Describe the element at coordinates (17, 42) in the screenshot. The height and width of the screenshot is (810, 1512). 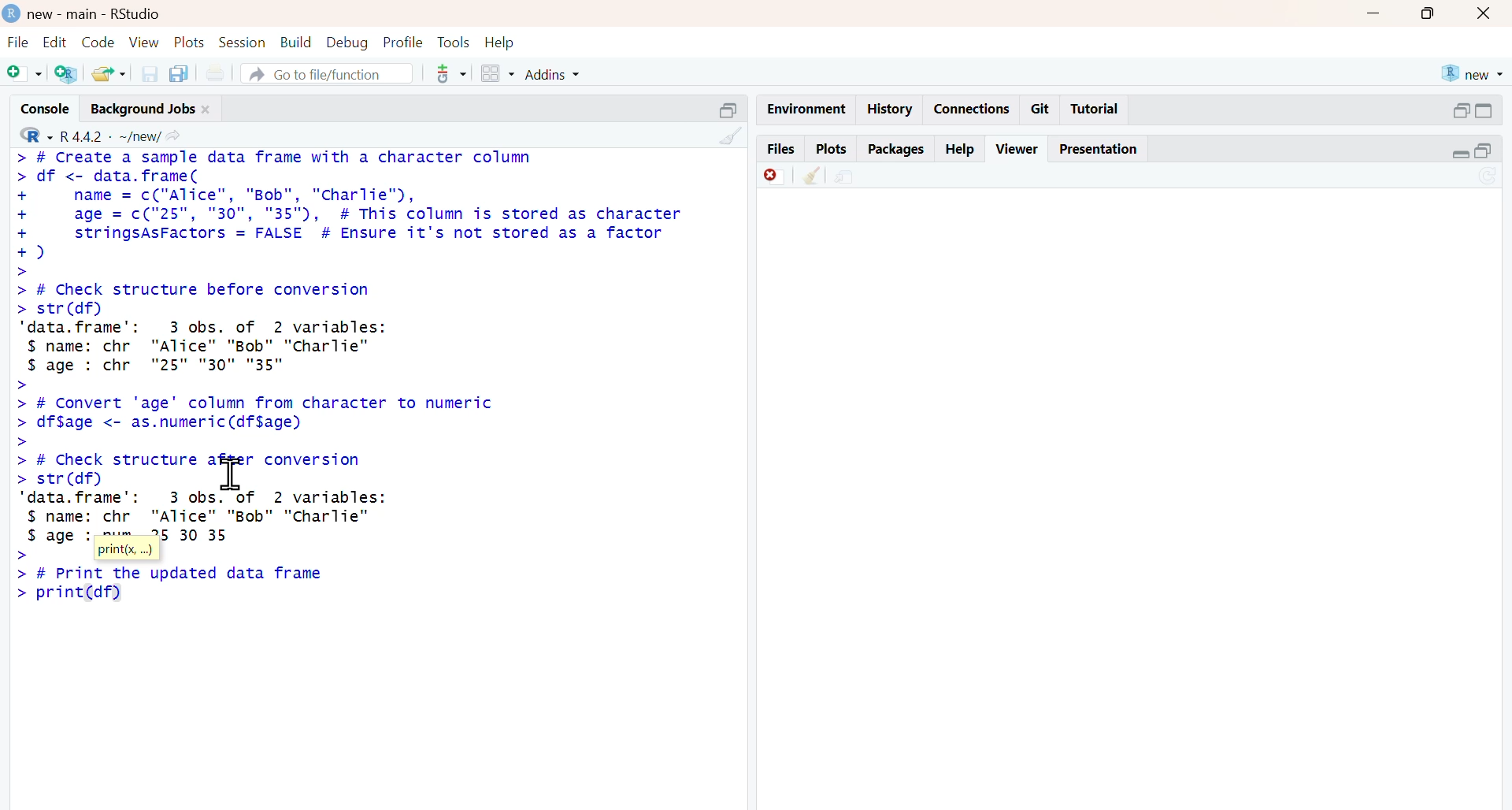
I see `file` at that location.